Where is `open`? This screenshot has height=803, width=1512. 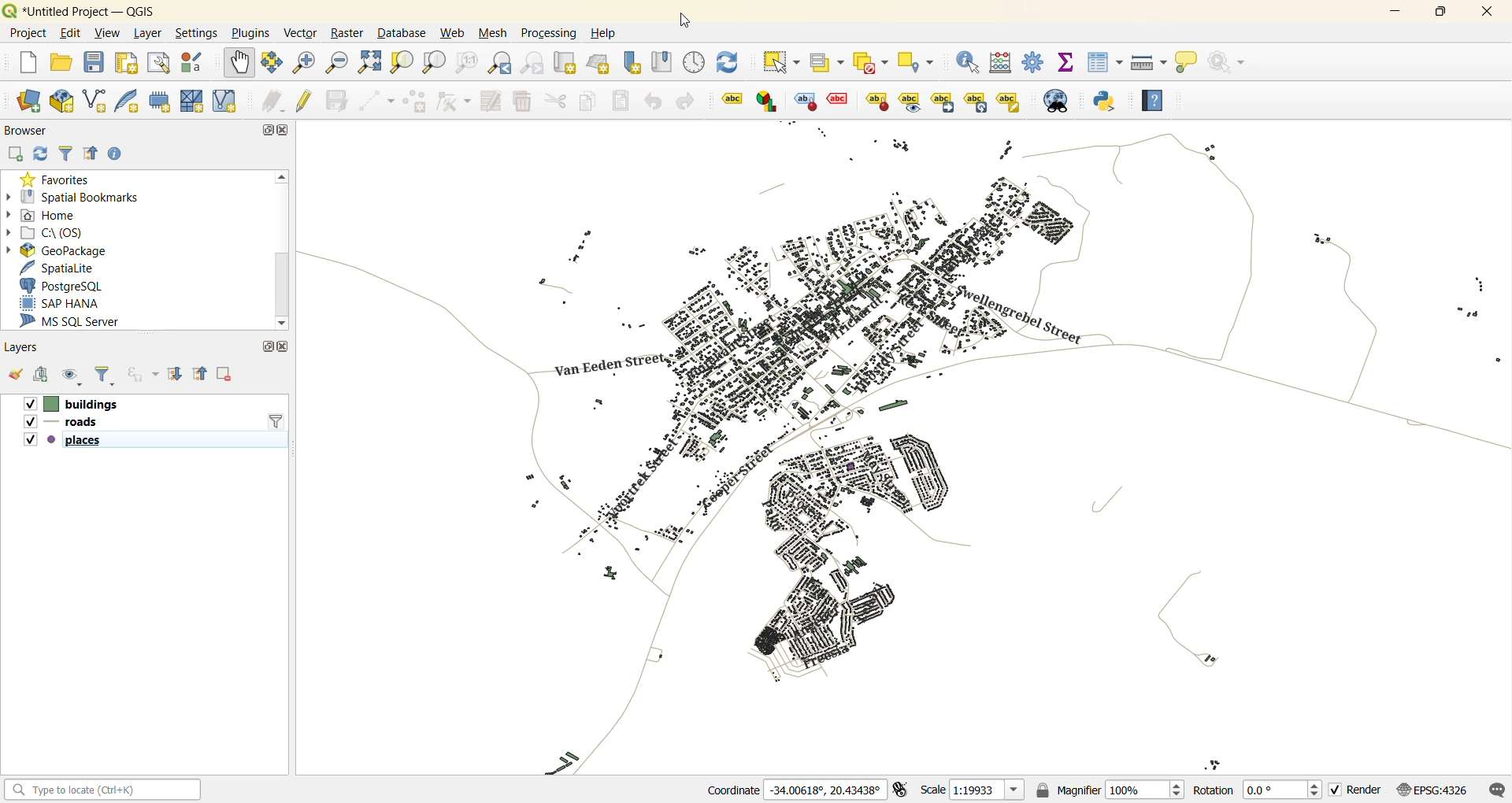 open is located at coordinates (63, 61).